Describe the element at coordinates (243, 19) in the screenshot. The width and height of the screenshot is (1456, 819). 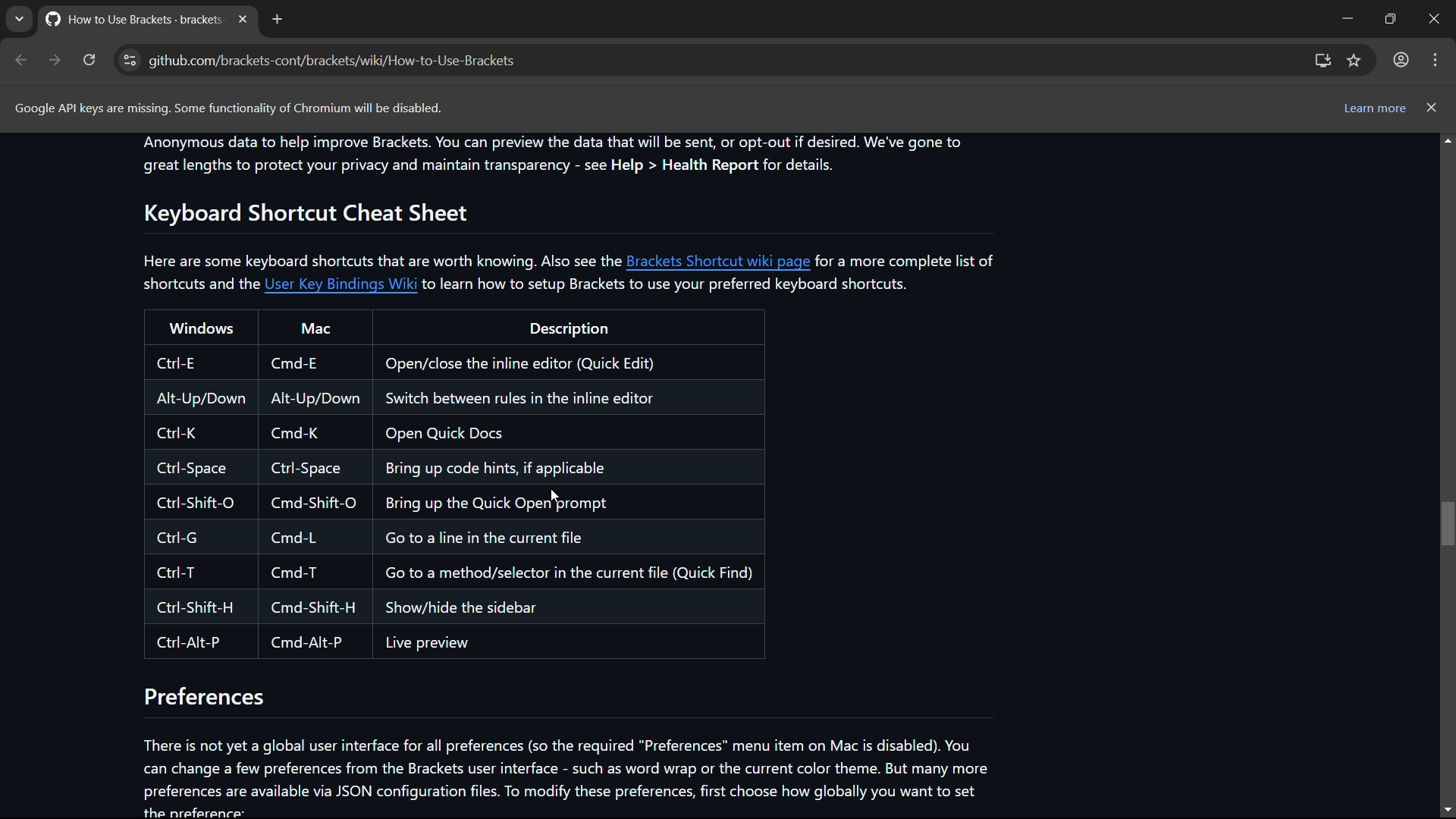
I see `close tab` at that location.